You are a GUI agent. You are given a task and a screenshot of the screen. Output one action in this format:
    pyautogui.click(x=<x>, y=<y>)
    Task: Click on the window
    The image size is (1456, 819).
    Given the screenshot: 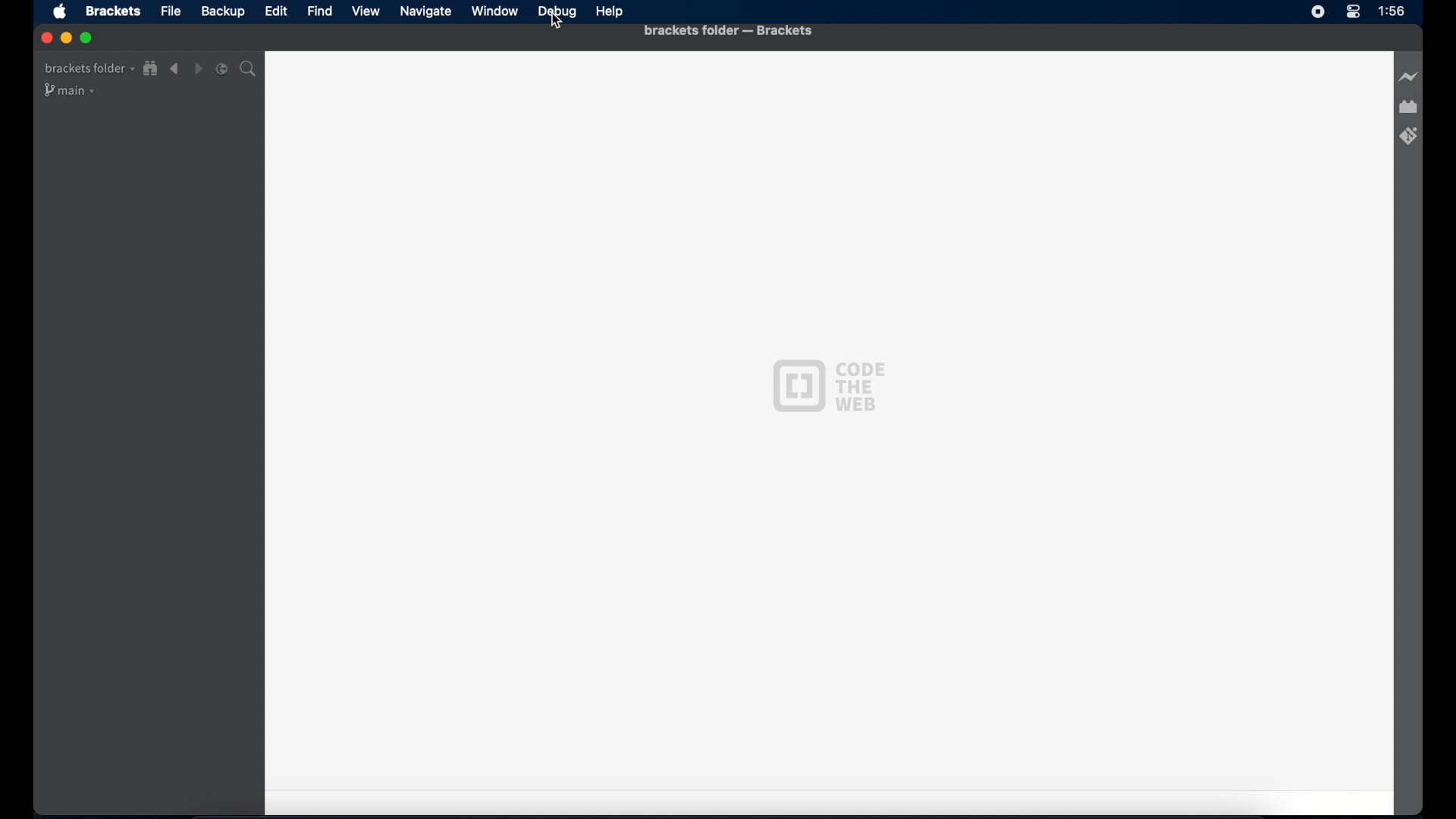 What is the action you would take?
    pyautogui.click(x=495, y=11)
    